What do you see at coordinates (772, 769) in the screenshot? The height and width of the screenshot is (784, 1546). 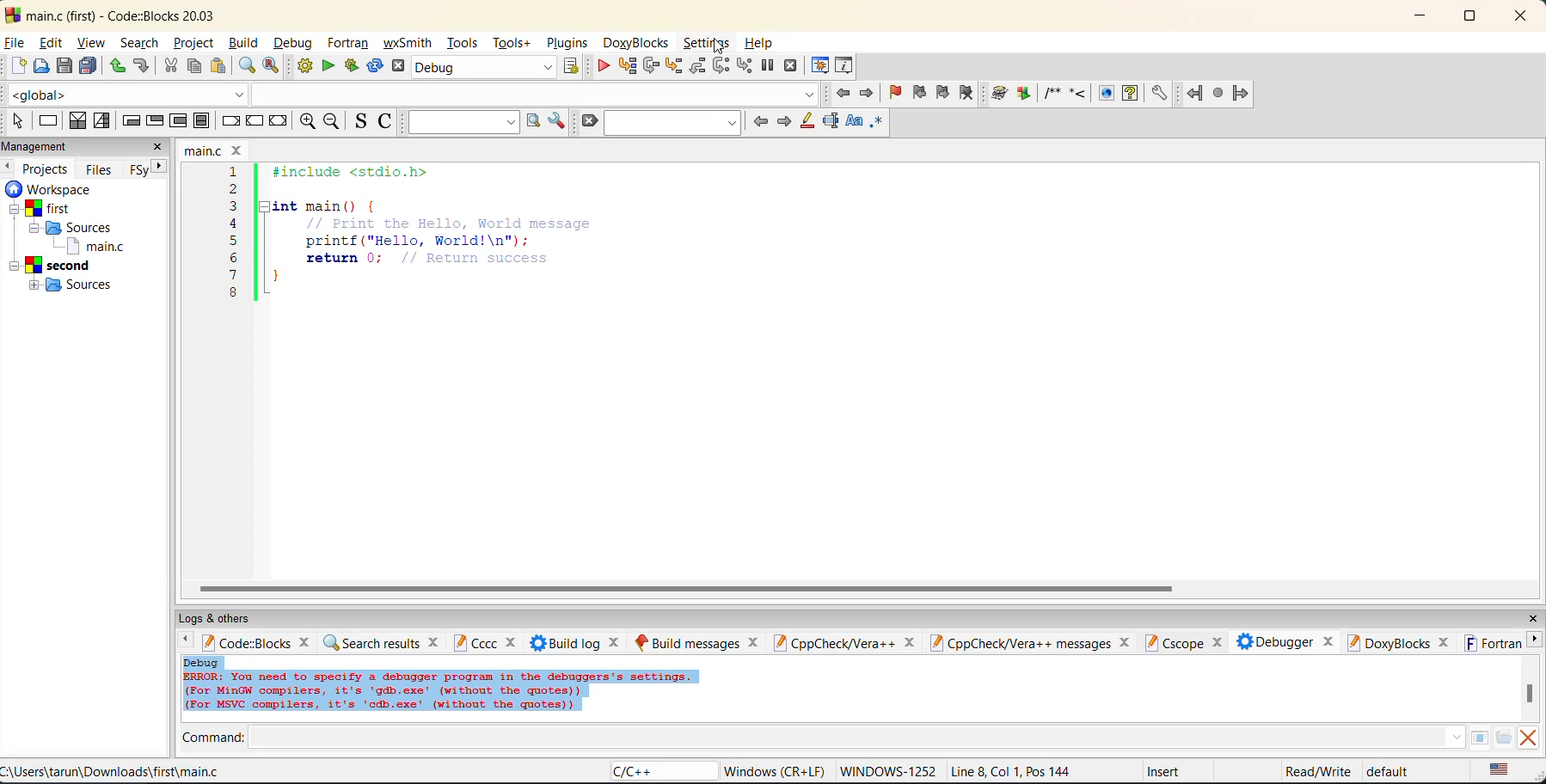 I see `‘Windows (CR+LF)` at bounding box center [772, 769].